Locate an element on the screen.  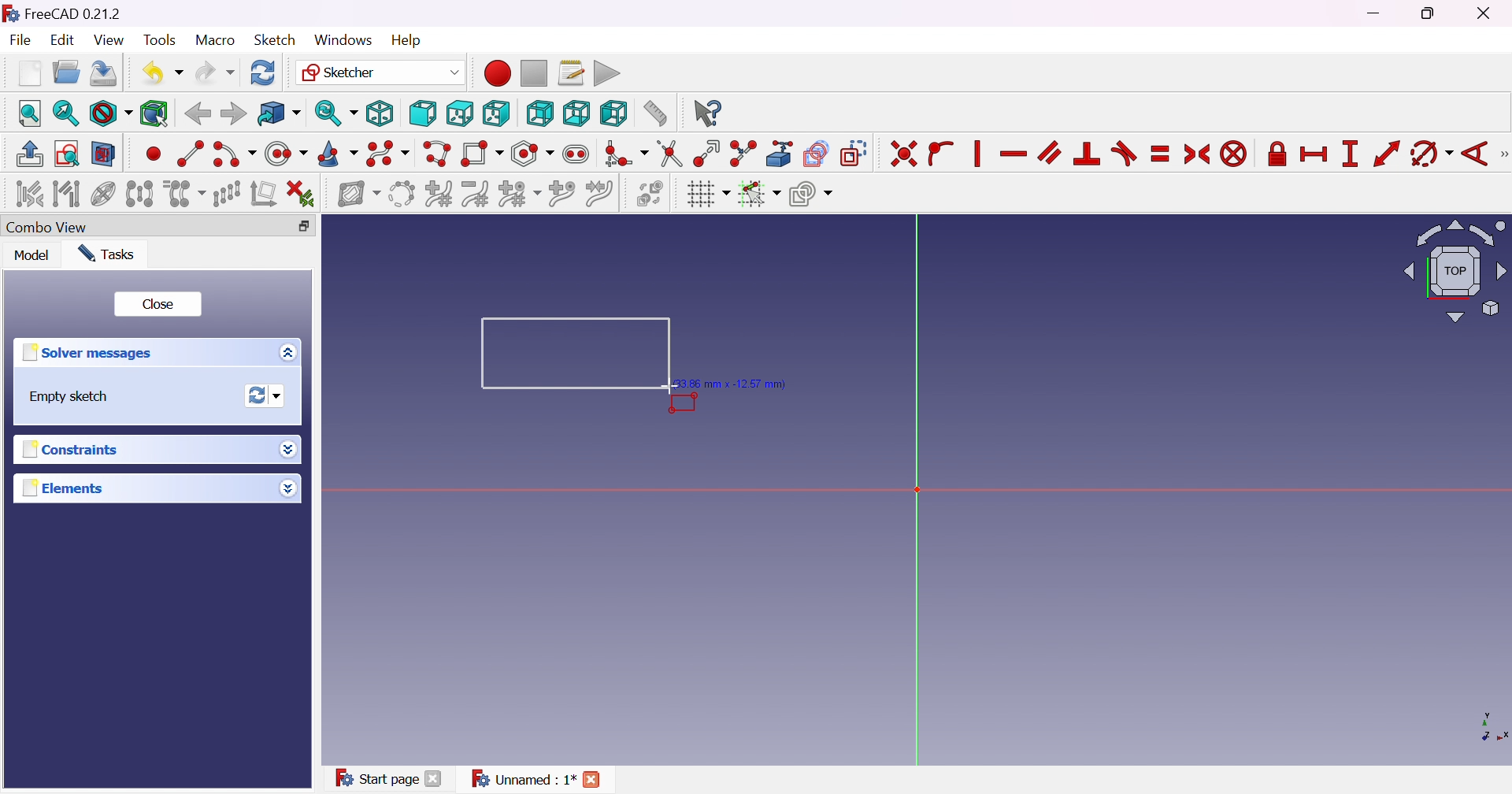
x, y axis plane is located at coordinates (1484, 725).